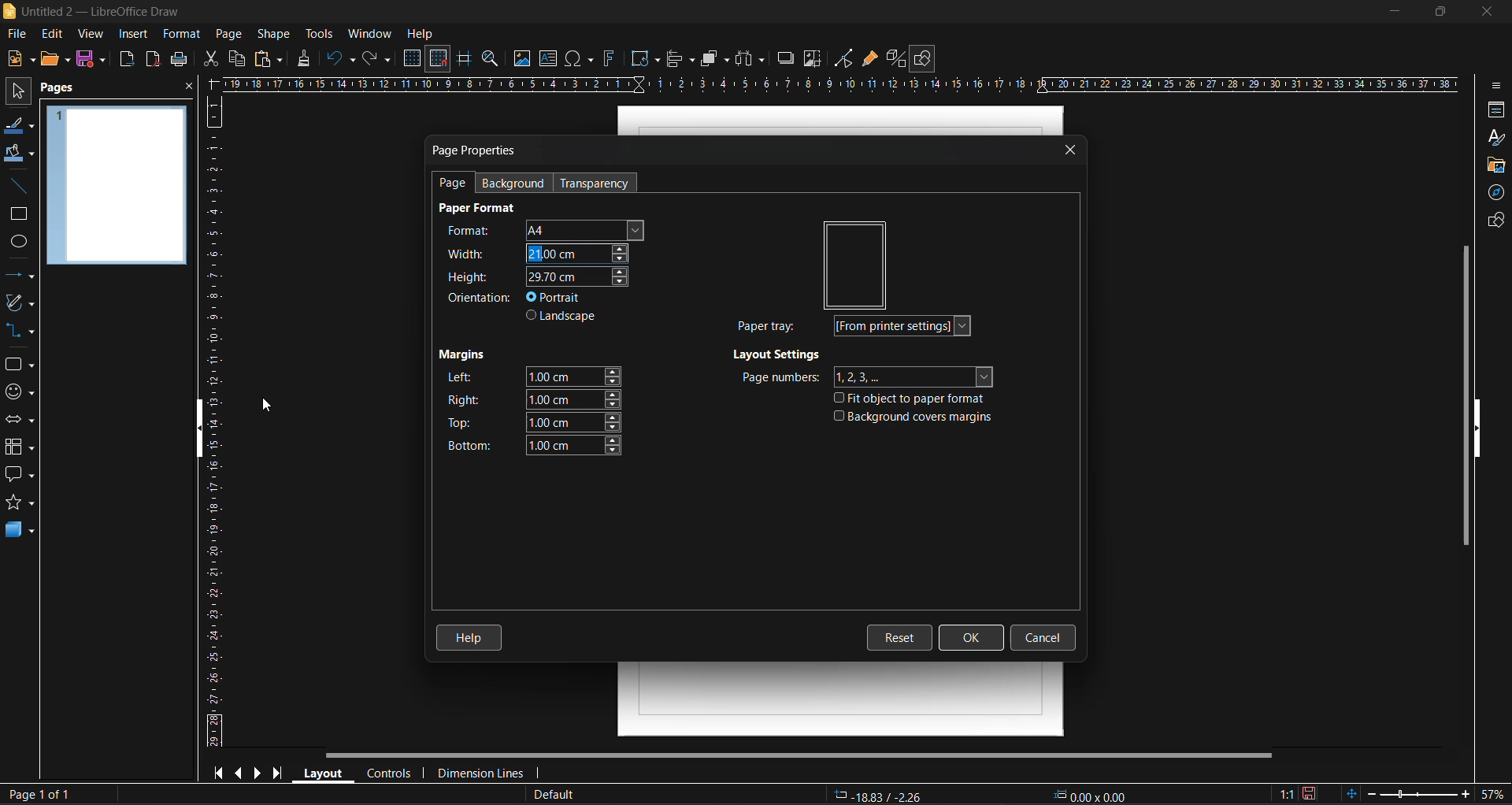 Image resolution: width=1512 pixels, height=805 pixels. I want to click on cursor, so click(270, 406).